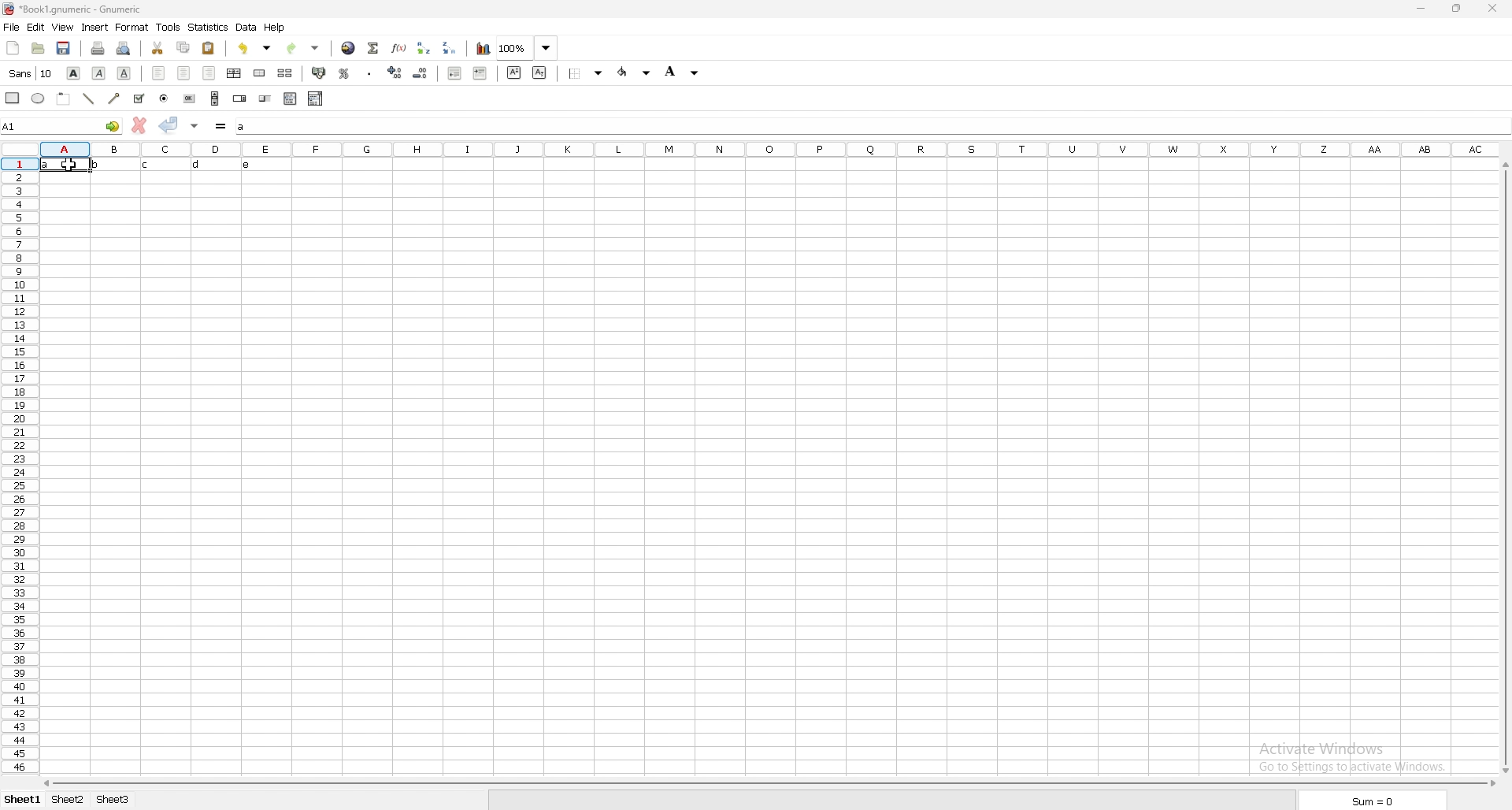 Image resolution: width=1512 pixels, height=810 pixels. Describe the element at coordinates (303, 48) in the screenshot. I see `redo` at that location.